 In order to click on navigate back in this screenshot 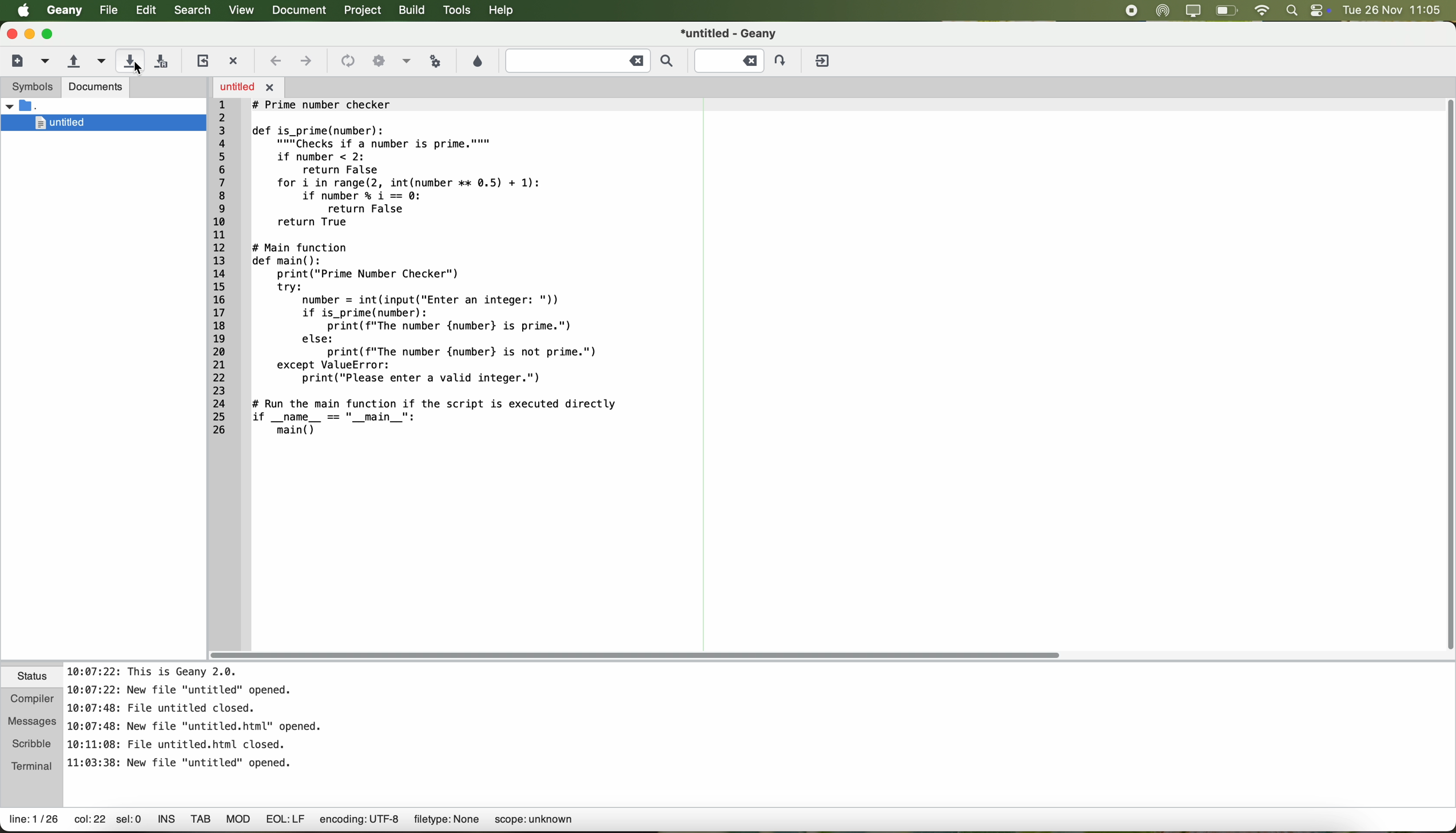, I will do `click(276, 61)`.